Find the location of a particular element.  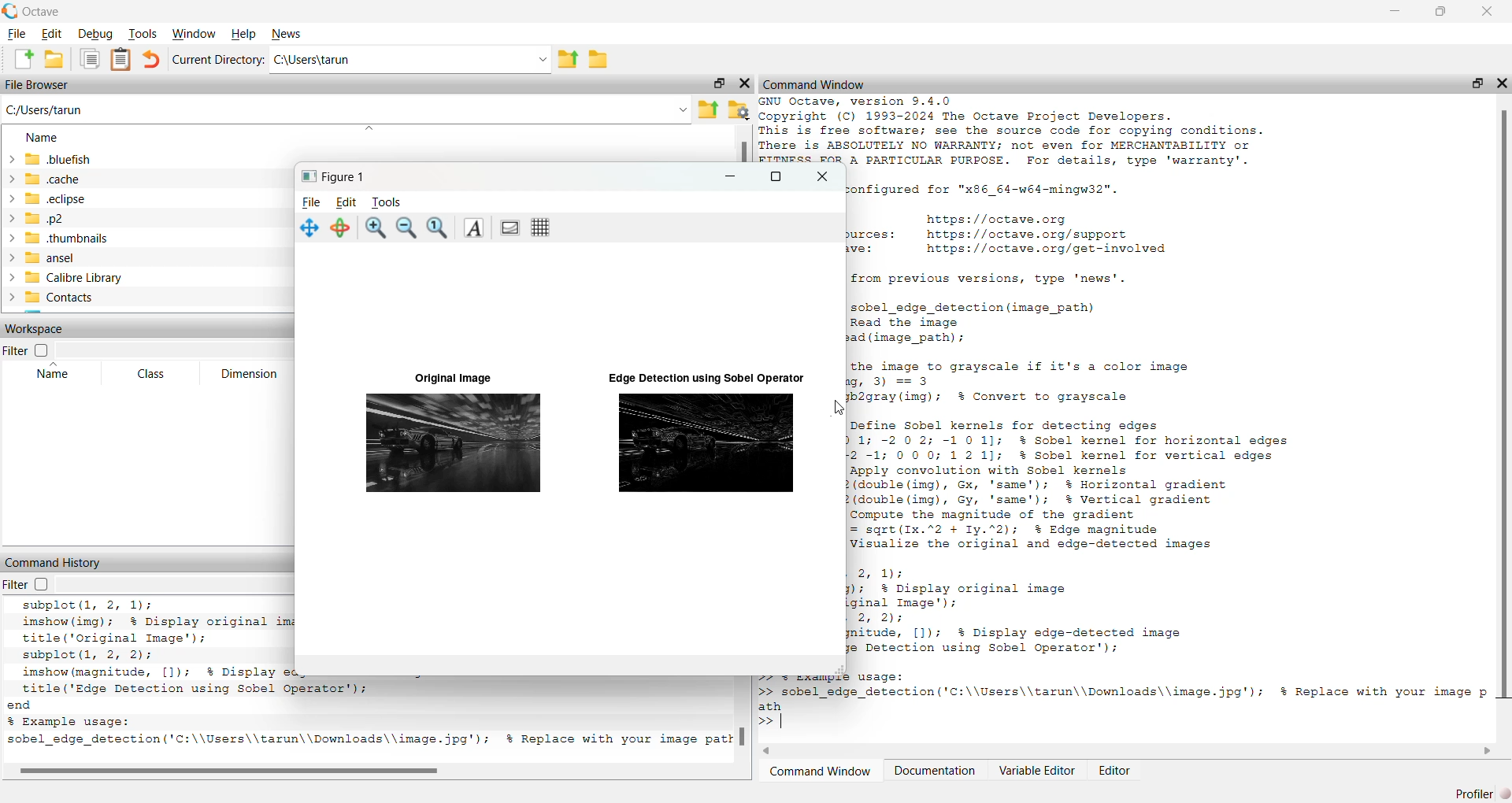

Toggle current axes visibility is located at coordinates (510, 228).